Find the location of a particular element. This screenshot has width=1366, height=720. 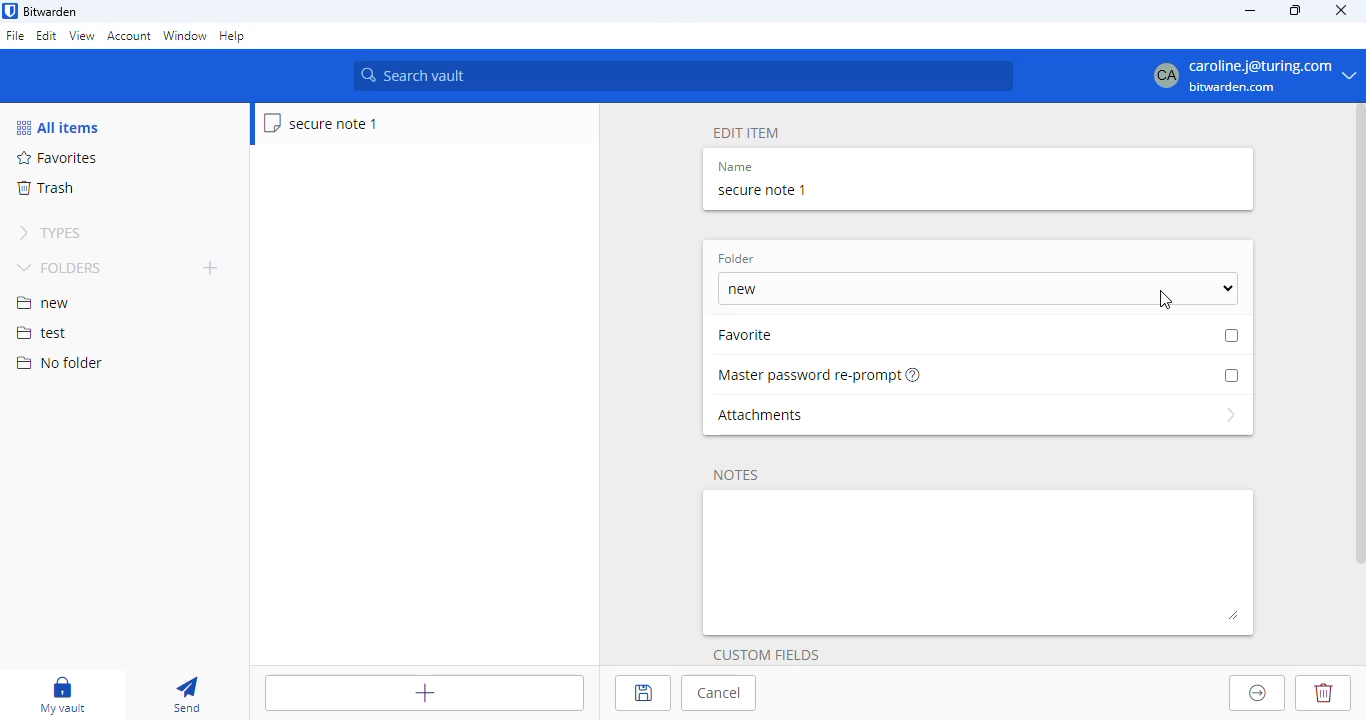

no folder is located at coordinates (59, 362).